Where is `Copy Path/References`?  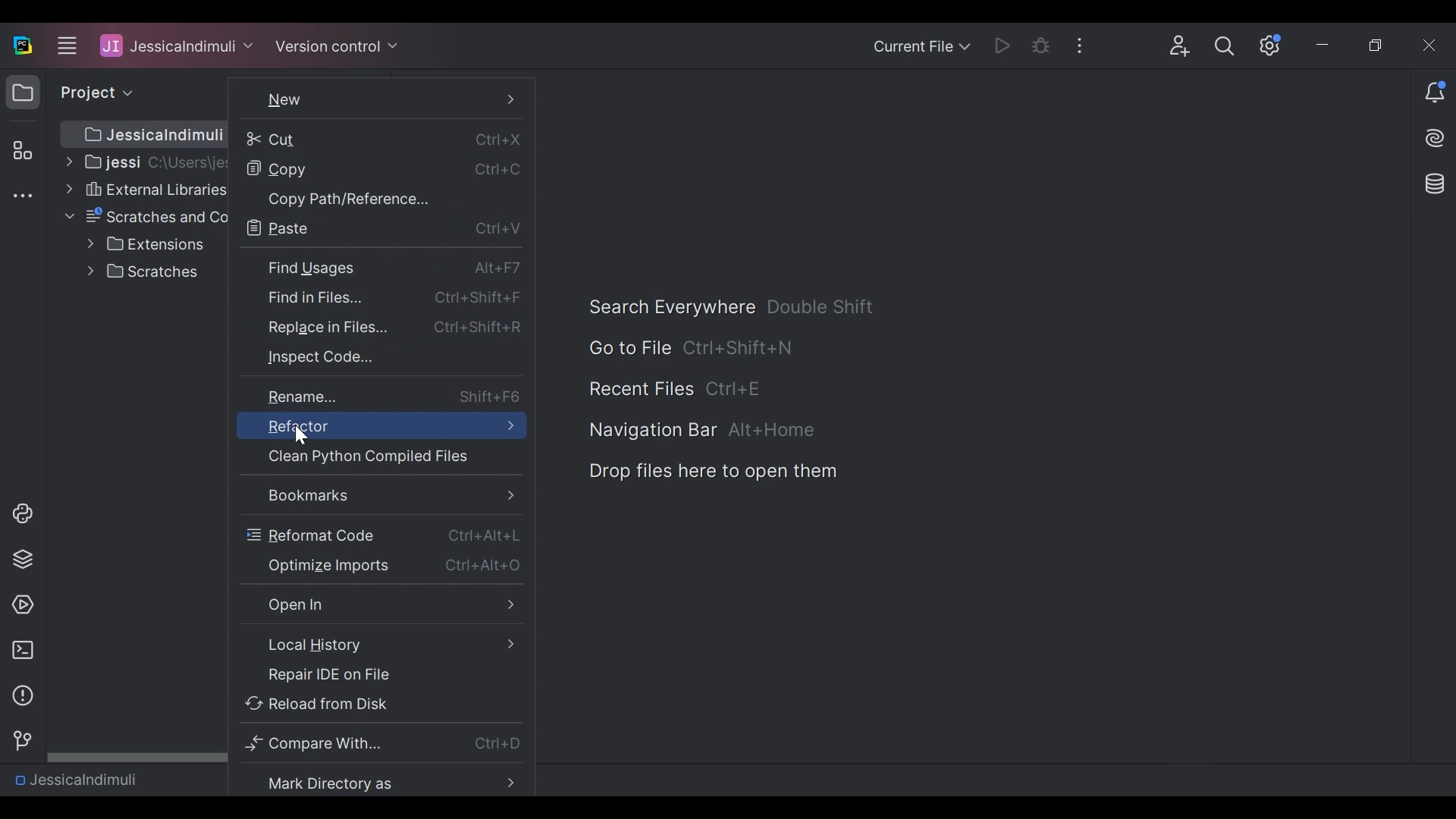 Copy Path/References is located at coordinates (379, 199).